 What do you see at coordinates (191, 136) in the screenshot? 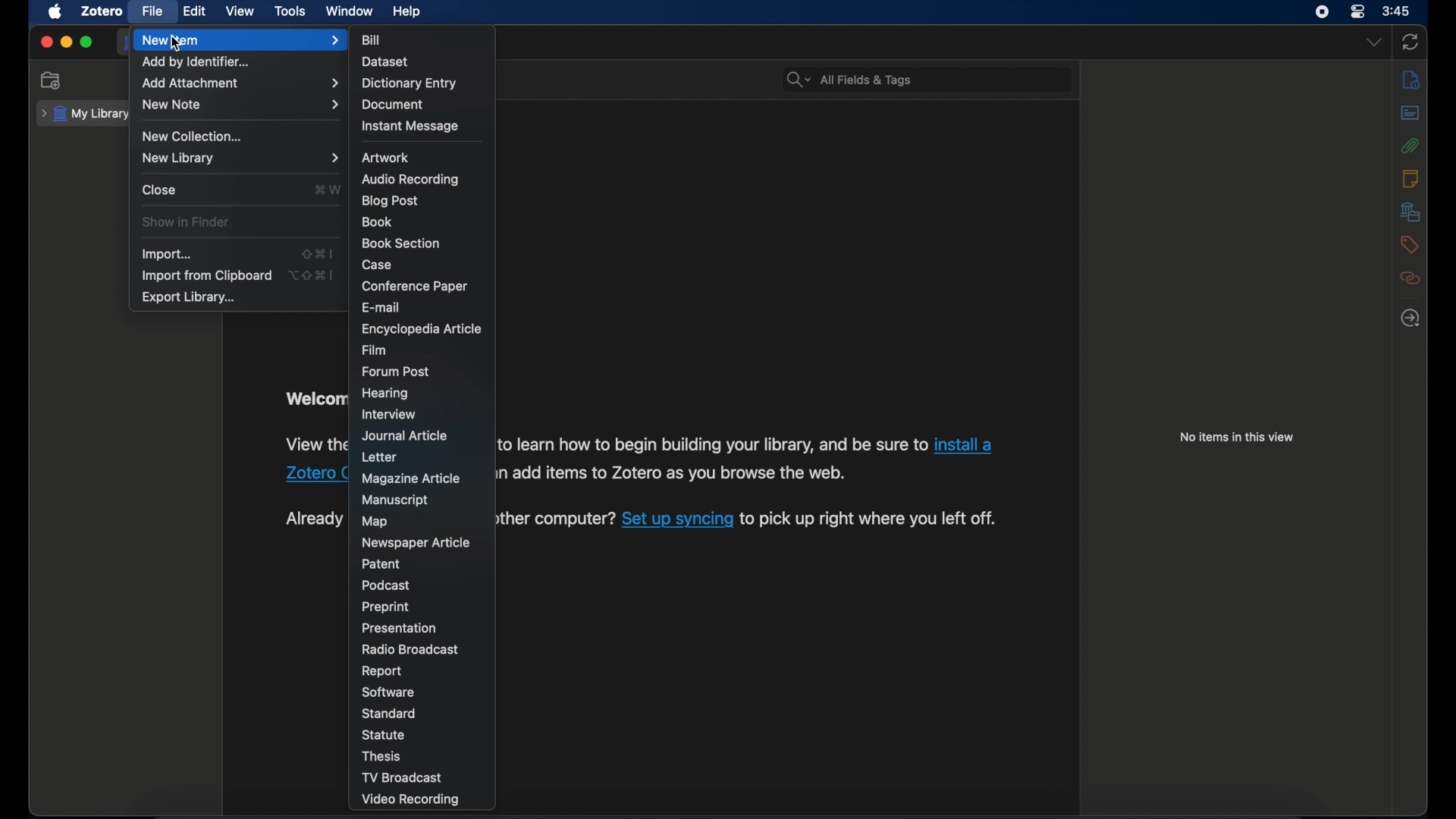
I see `new collection` at bounding box center [191, 136].